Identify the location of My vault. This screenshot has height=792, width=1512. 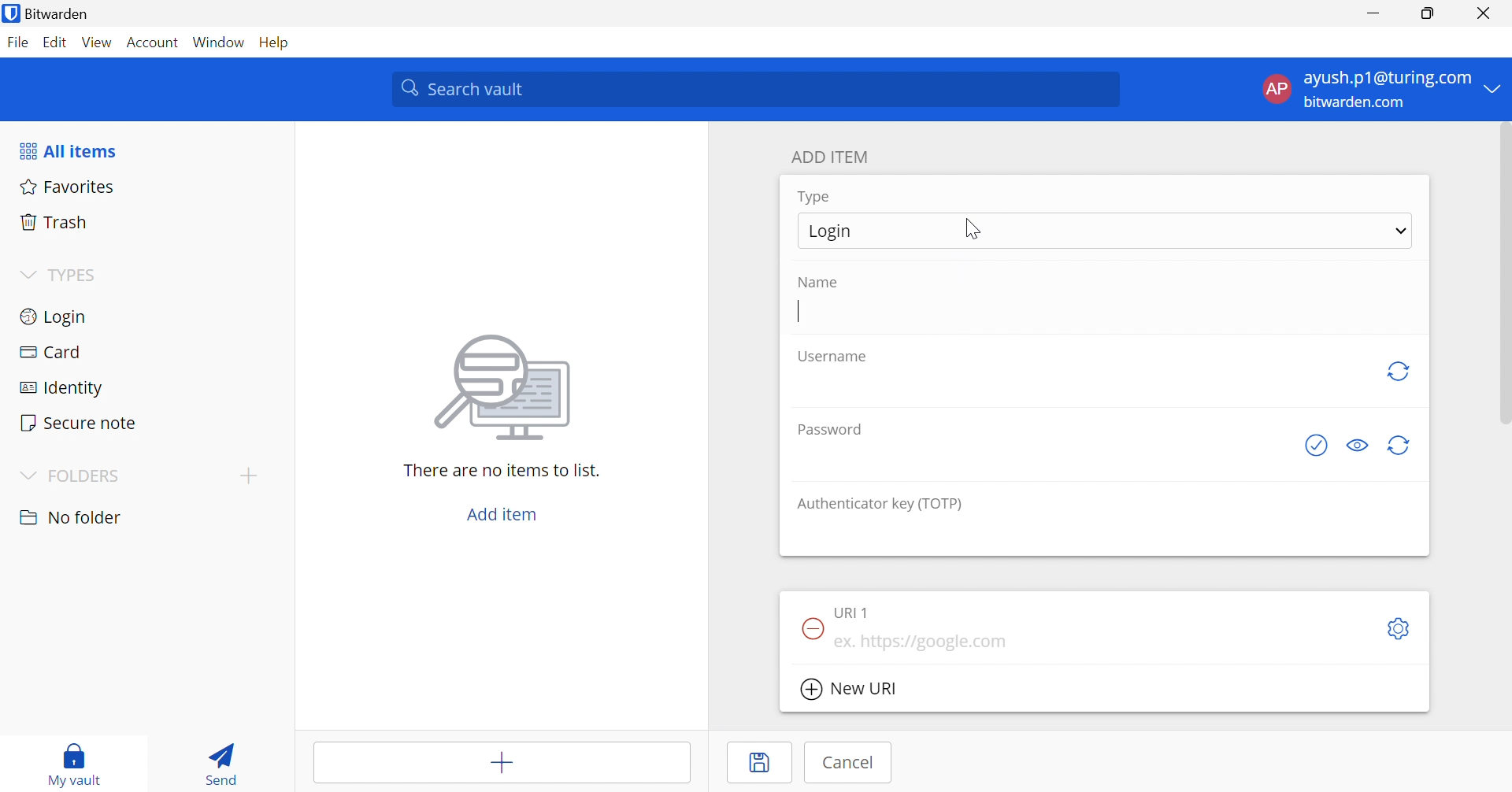
(76, 764).